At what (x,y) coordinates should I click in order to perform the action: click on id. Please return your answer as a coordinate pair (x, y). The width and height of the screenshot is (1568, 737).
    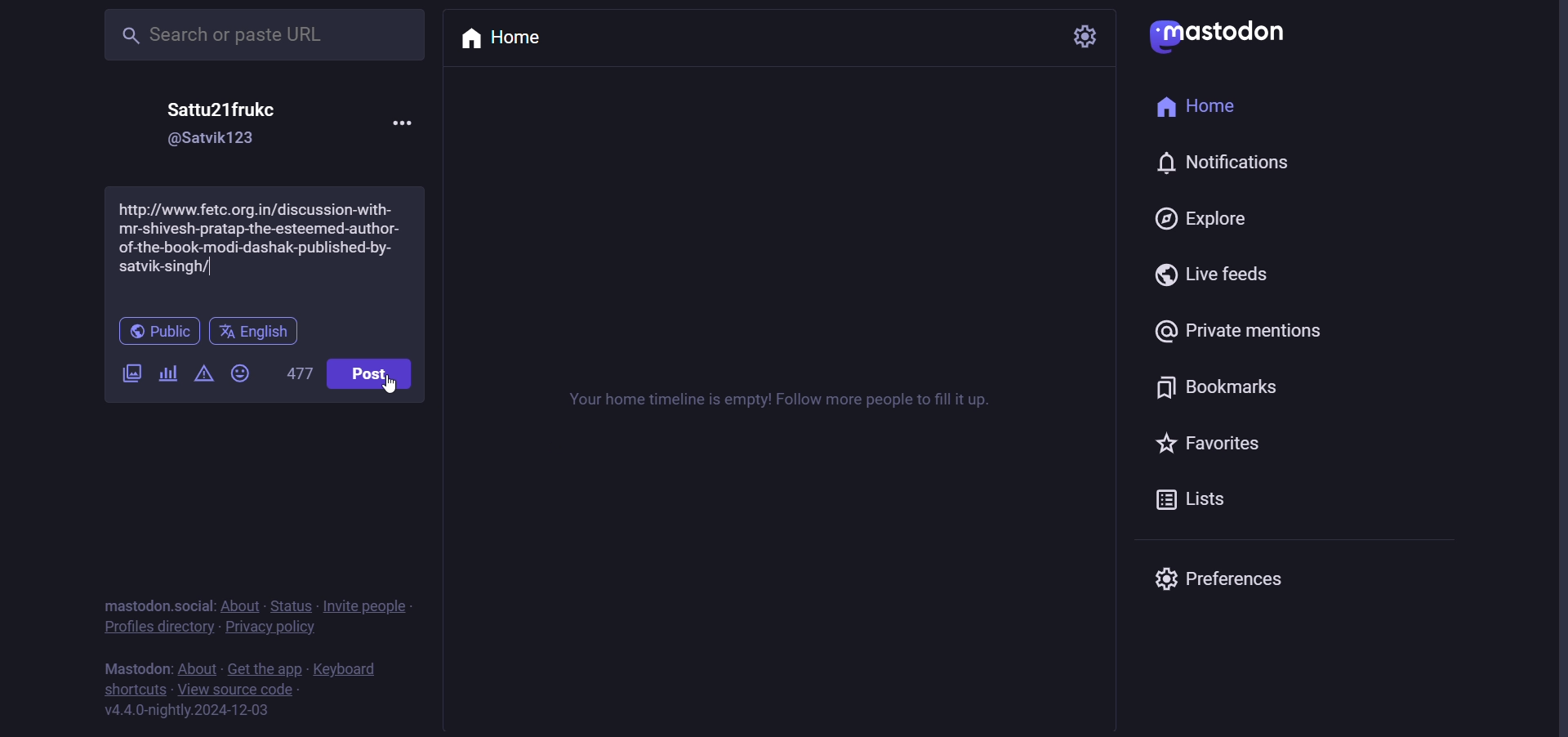
    Looking at the image, I should click on (218, 140).